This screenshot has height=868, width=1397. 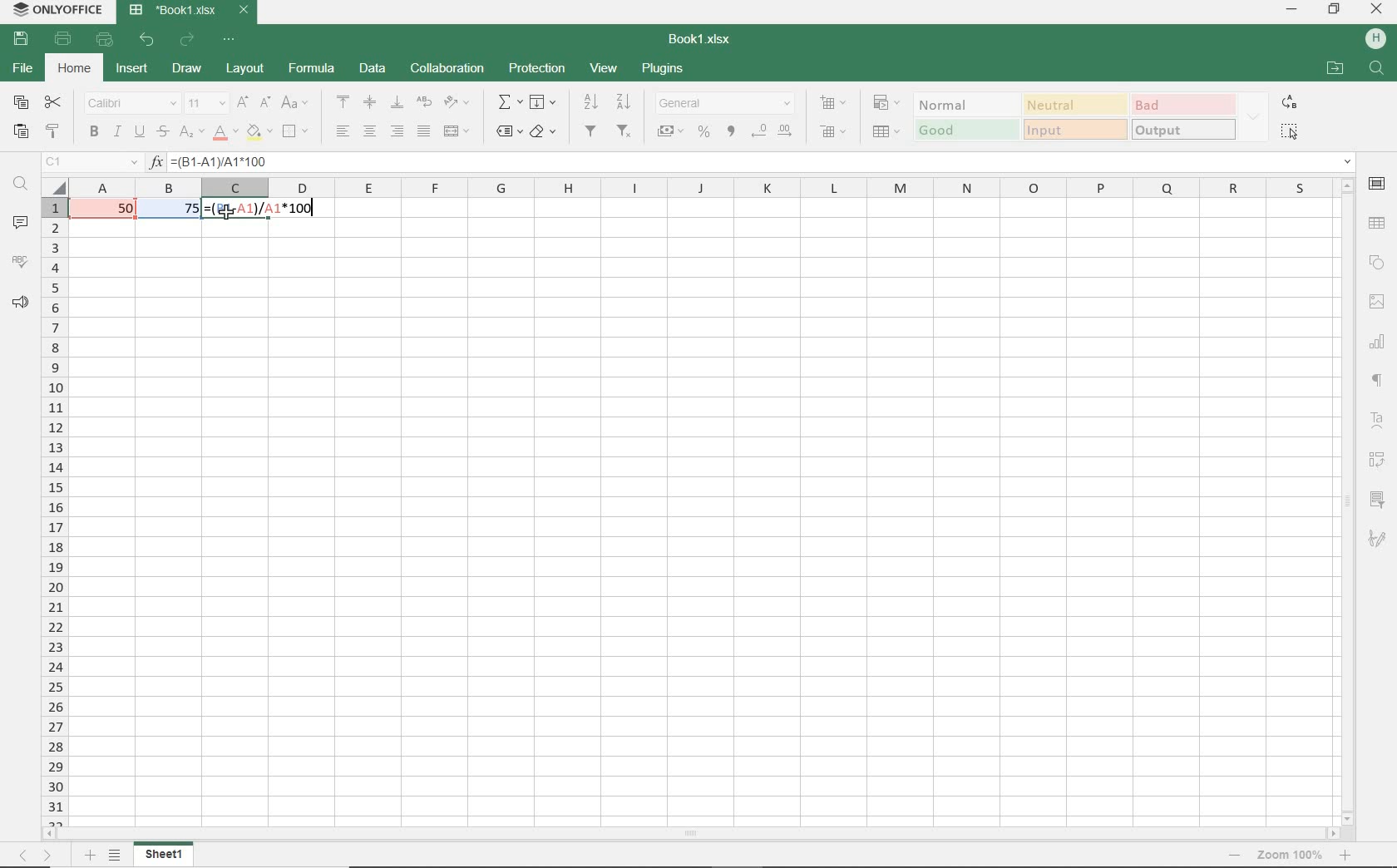 What do you see at coordinates (698, 37) in the screenshot?
I see `file name` at bounding box center [698, 37].